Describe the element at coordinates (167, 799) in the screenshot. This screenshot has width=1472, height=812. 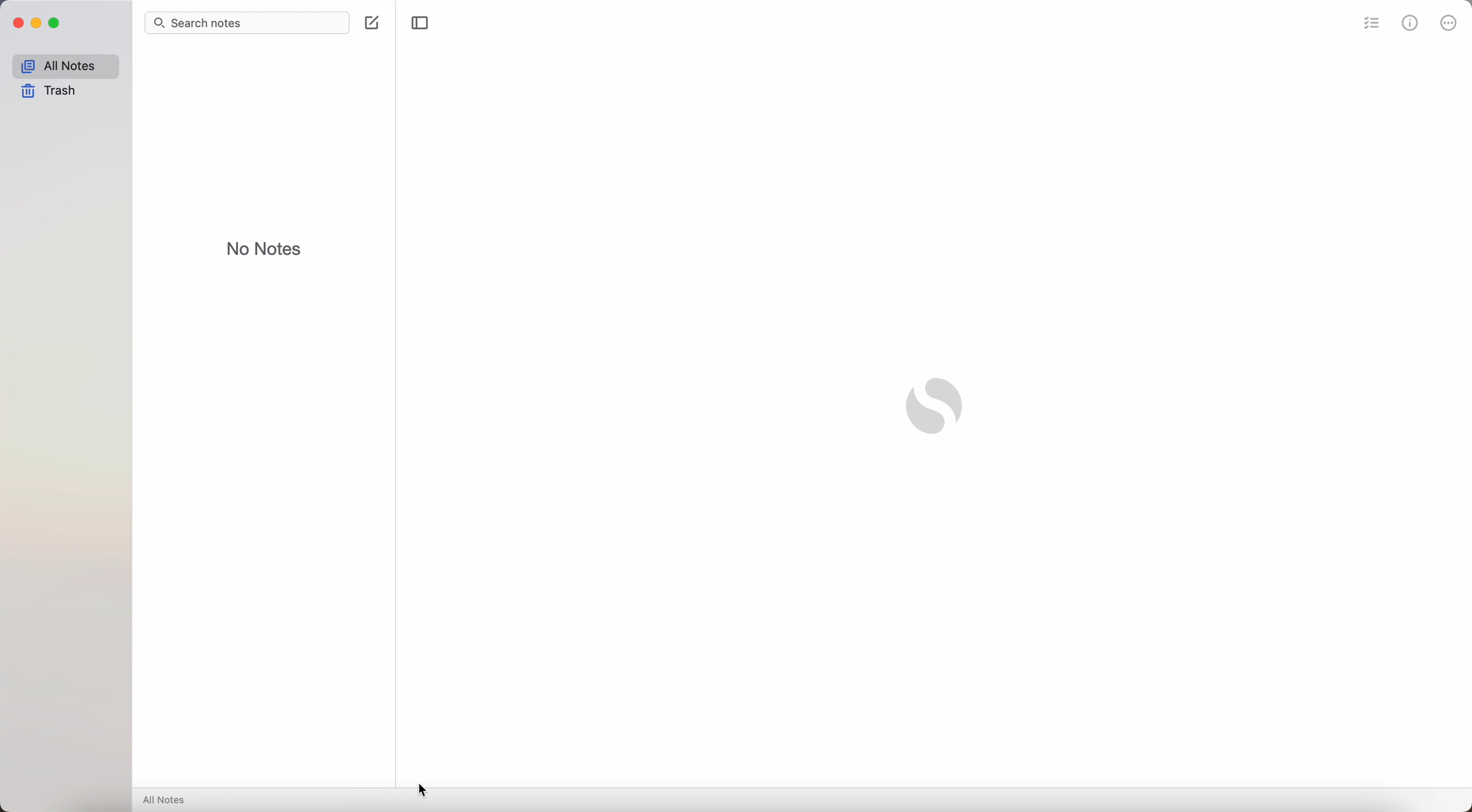
I see `all notes` at that location.